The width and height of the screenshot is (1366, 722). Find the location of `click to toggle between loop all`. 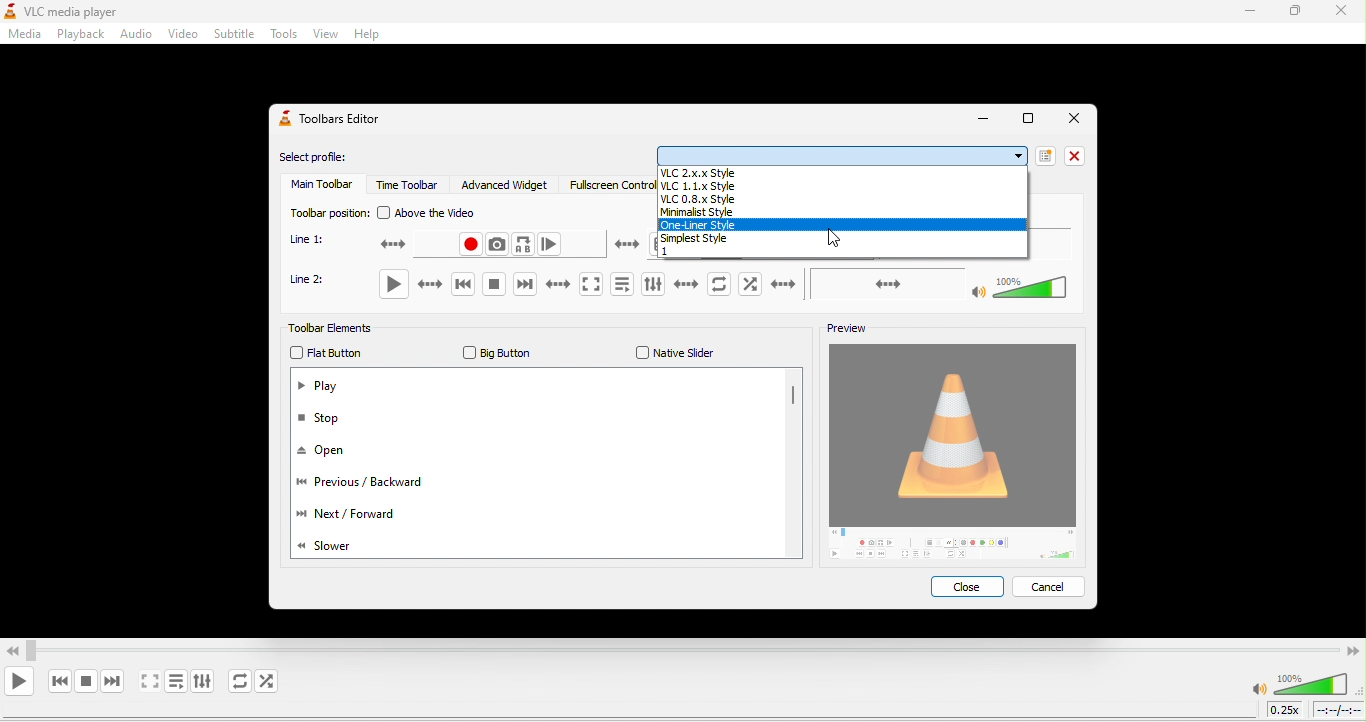

click to toggle between loop all is located at coordinates (236, 682).